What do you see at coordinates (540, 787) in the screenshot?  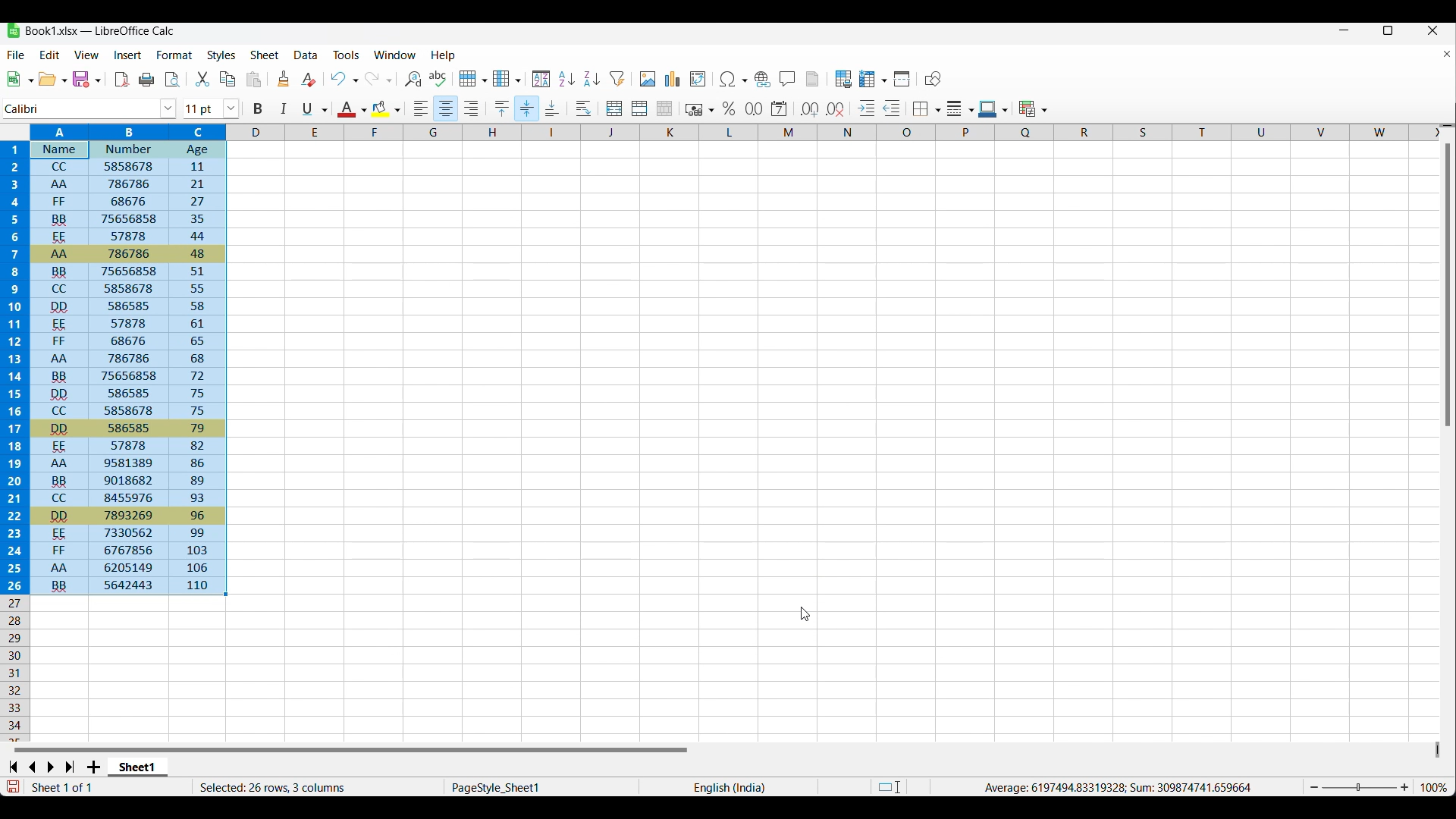 I see `Current page style` at bounding box center [540, 787].